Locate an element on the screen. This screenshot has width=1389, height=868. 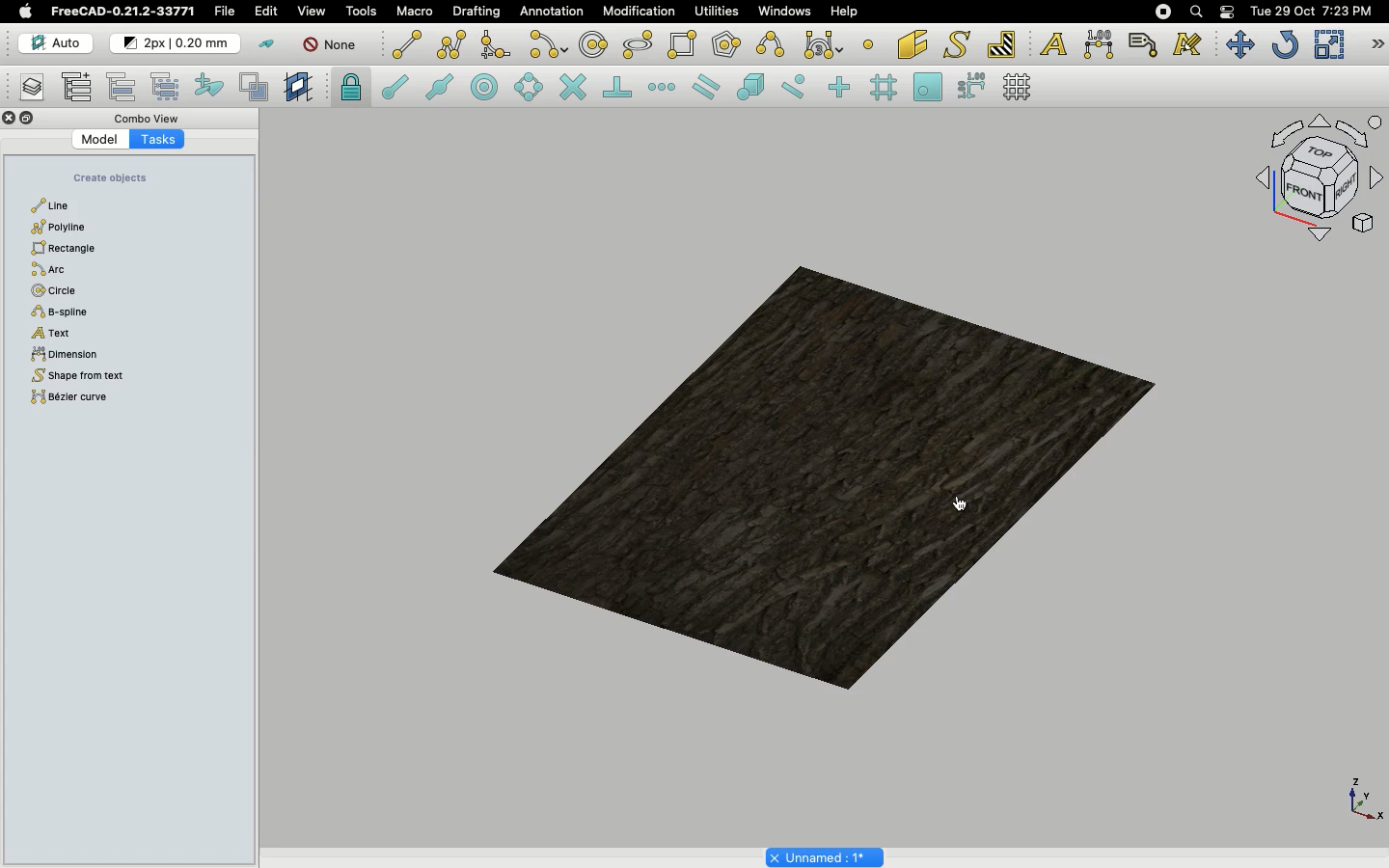
Hatch is located at coordinates (1003, 42).